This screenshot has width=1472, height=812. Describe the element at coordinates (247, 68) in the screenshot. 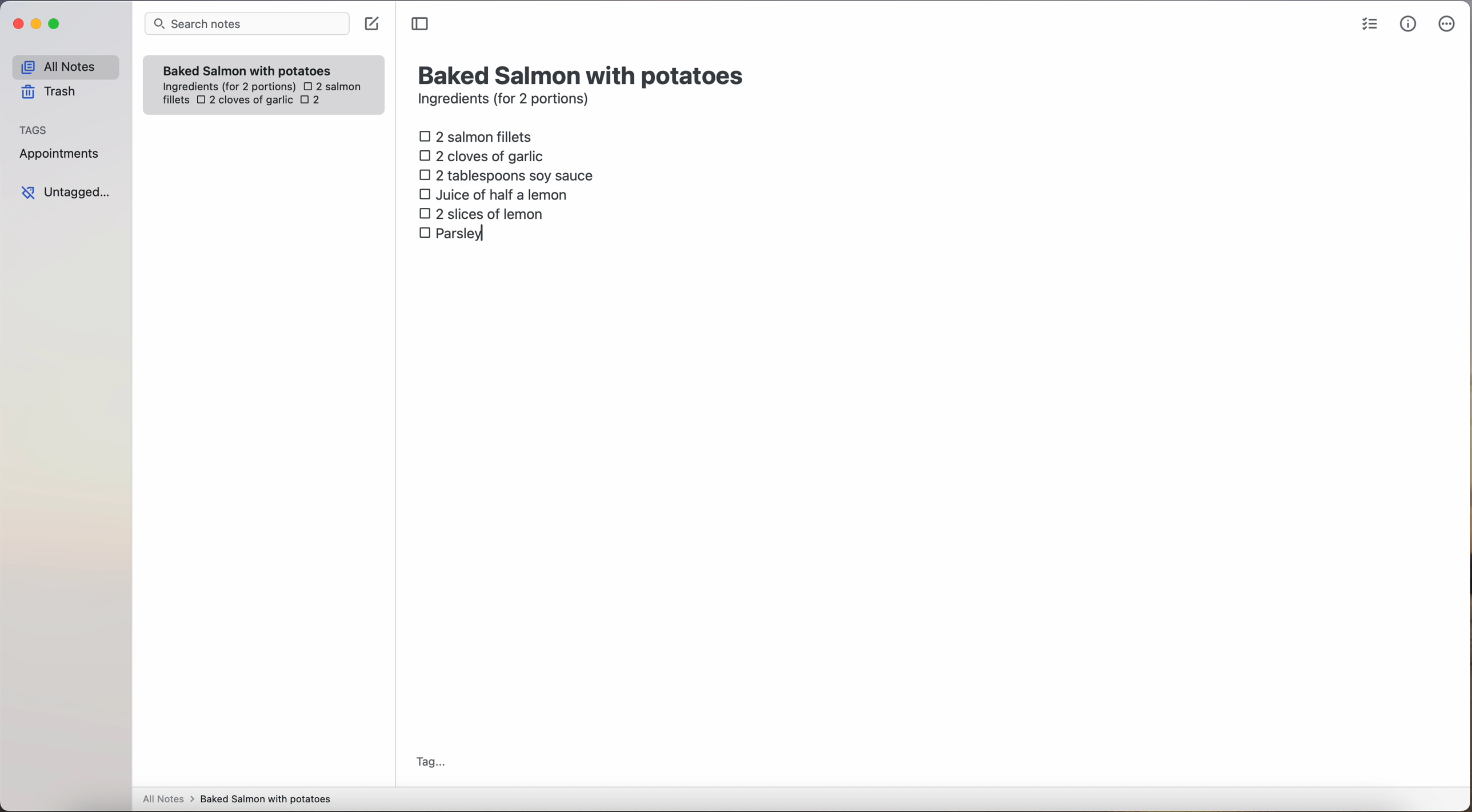

I see `Baked Salmon with potatoes` at that location.